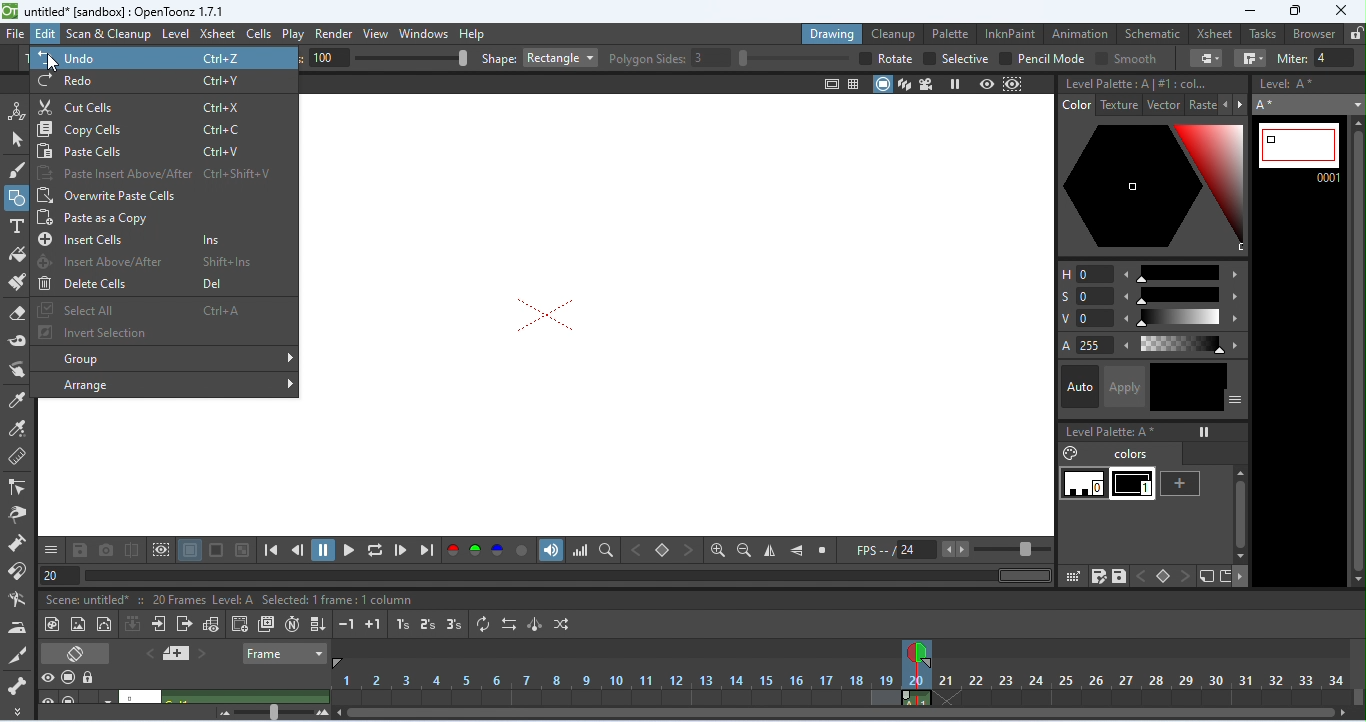 Image resolution: width=1366 pixels, height=722 pixels. Describe the element at coordinates (893, 35) in the screenshot. I see `clean up` at that location.